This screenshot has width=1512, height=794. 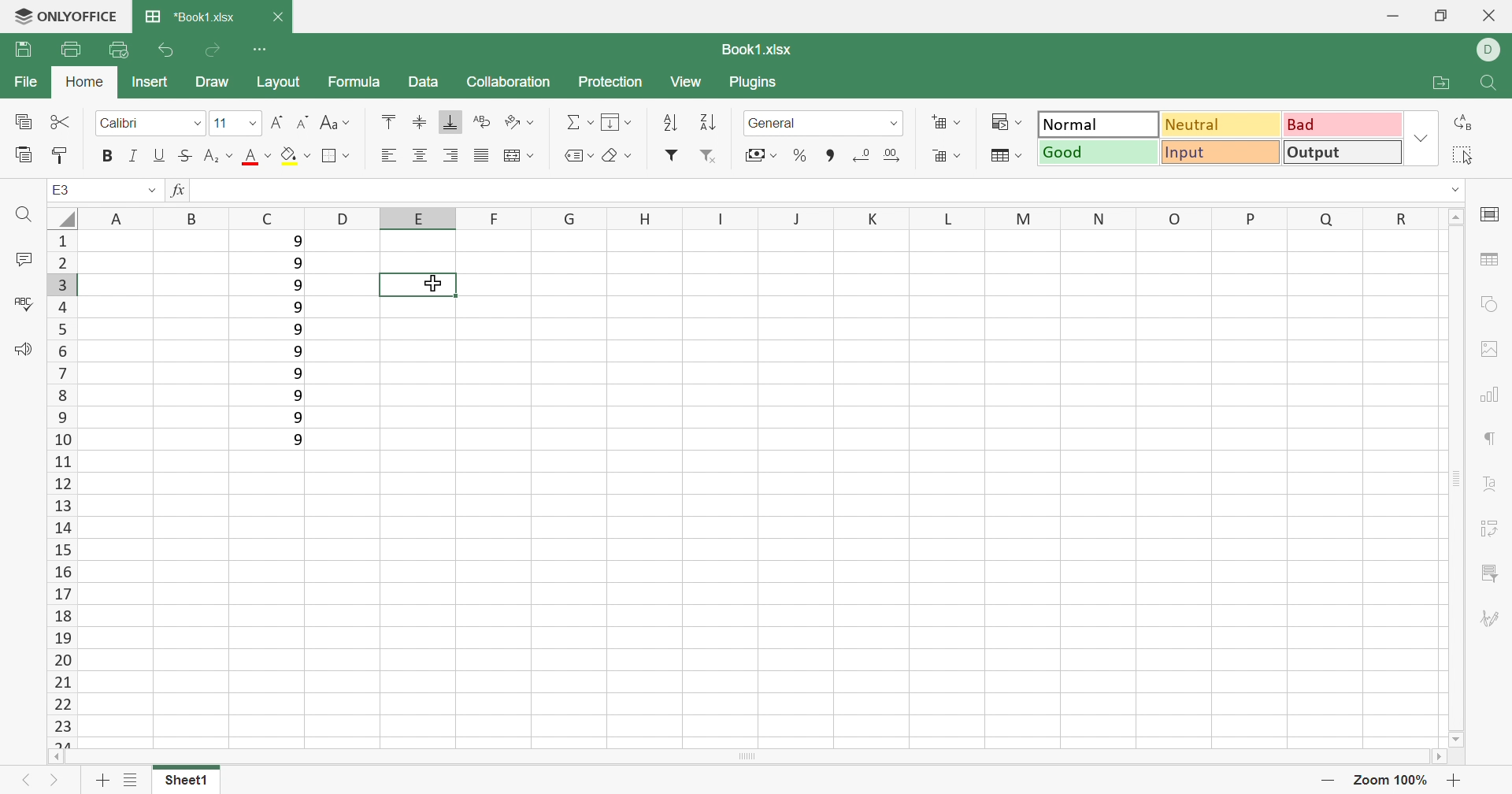 I want to click on cell settings, so click(x=1491, y=217).